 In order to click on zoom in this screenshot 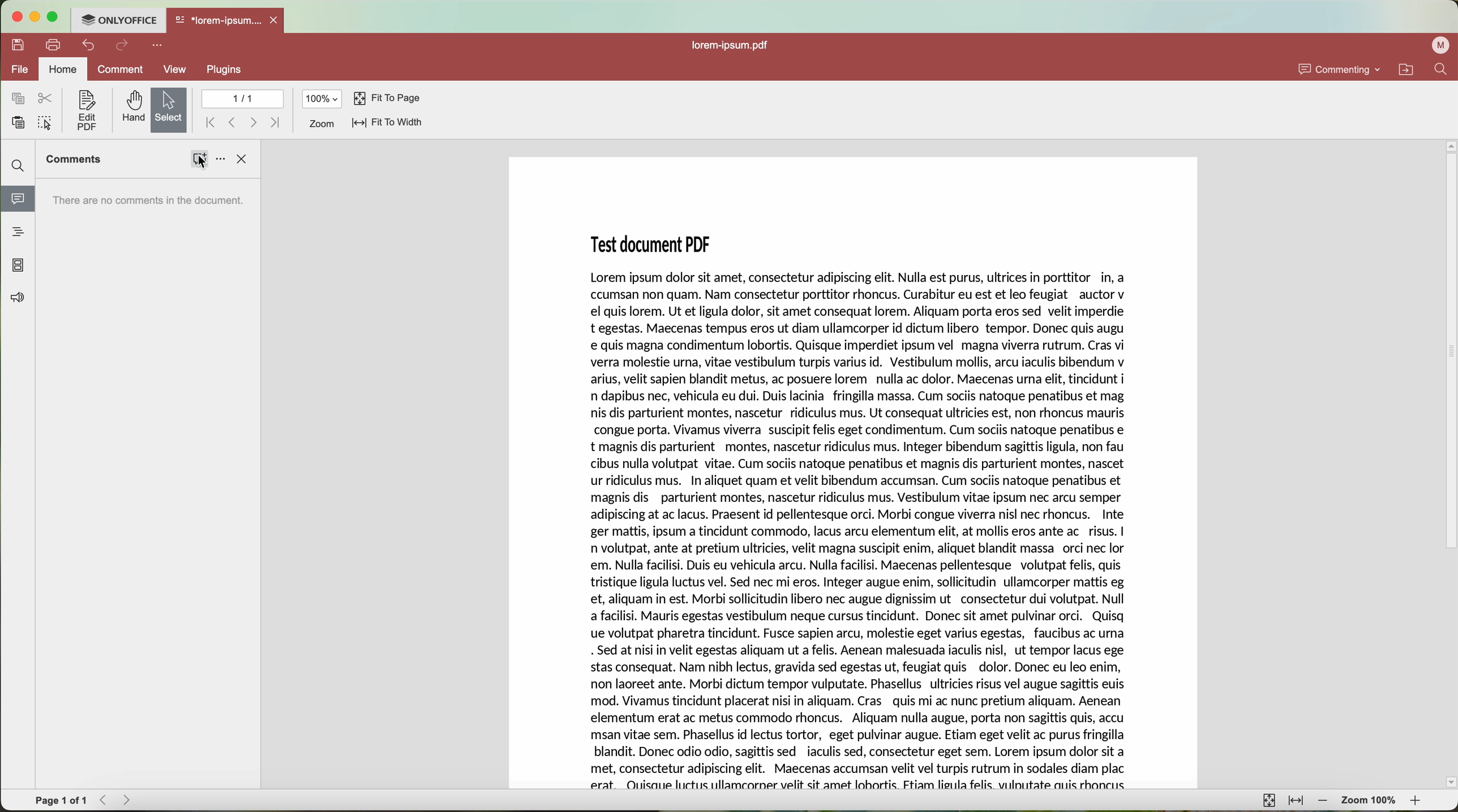, I will do `click(321, 124)`.